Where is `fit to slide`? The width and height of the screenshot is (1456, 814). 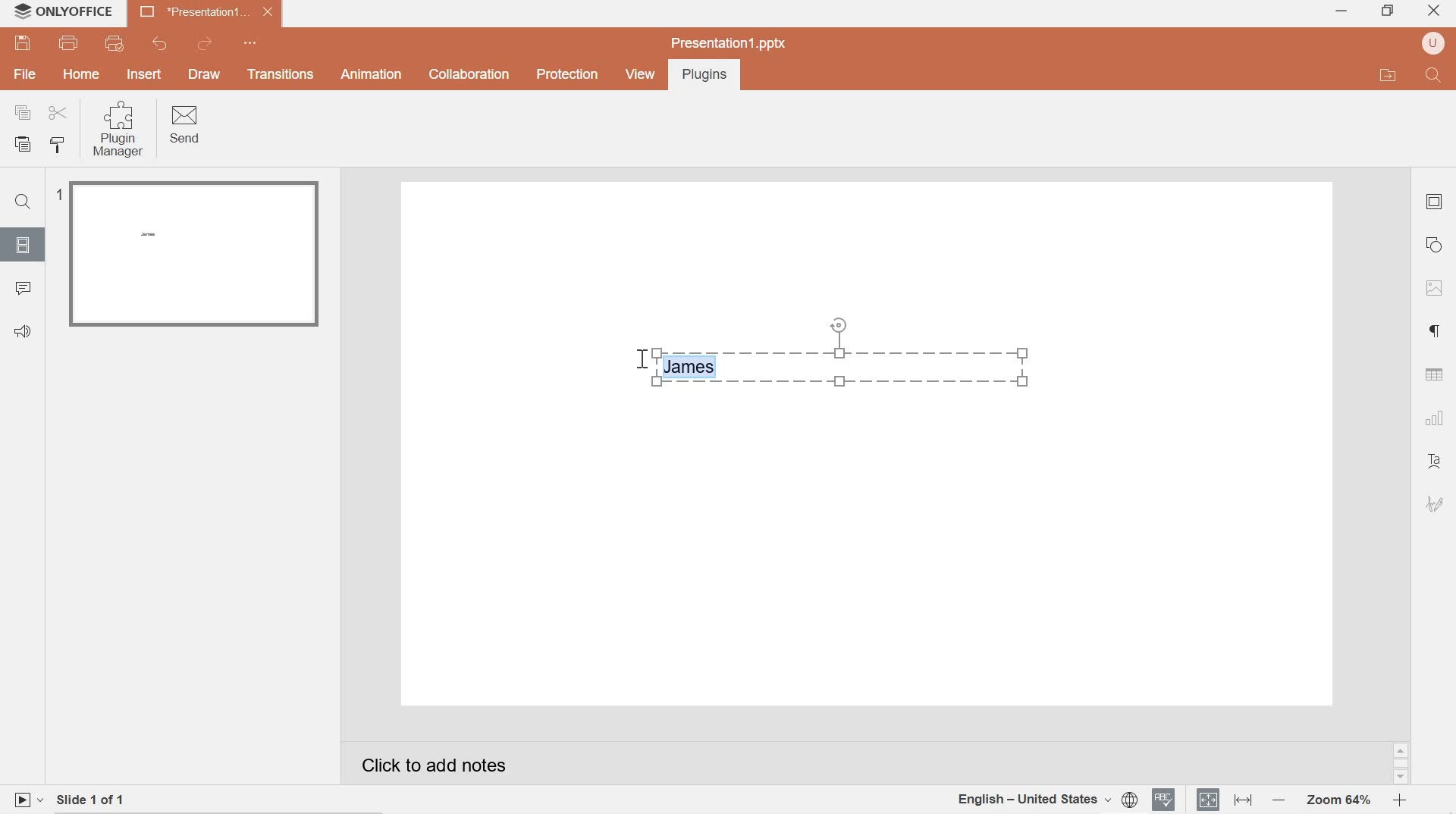
fit to slide is located at coordinates (1208, 800).